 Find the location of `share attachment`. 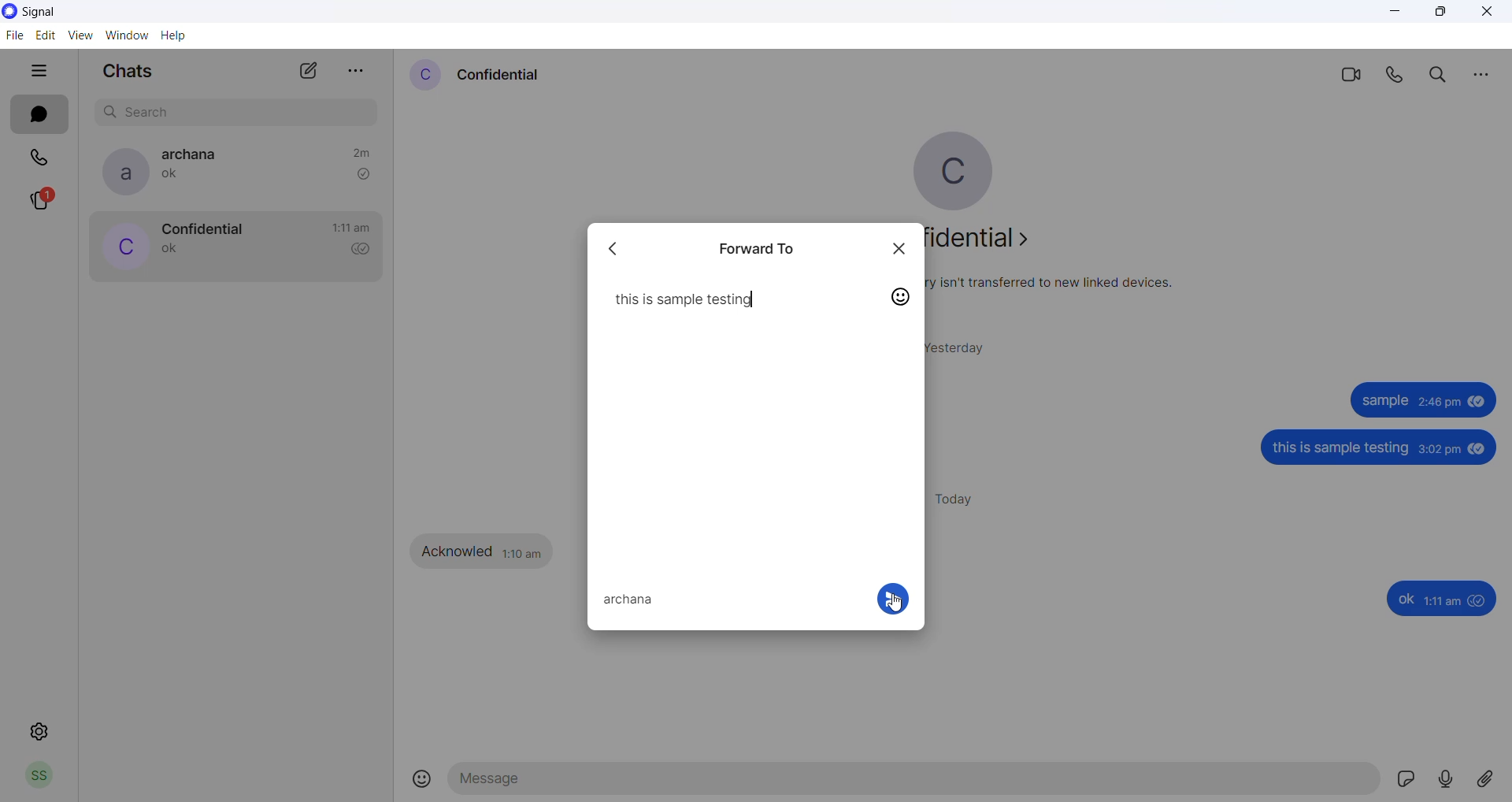

share attachment is located at coordinates (1492, 778).